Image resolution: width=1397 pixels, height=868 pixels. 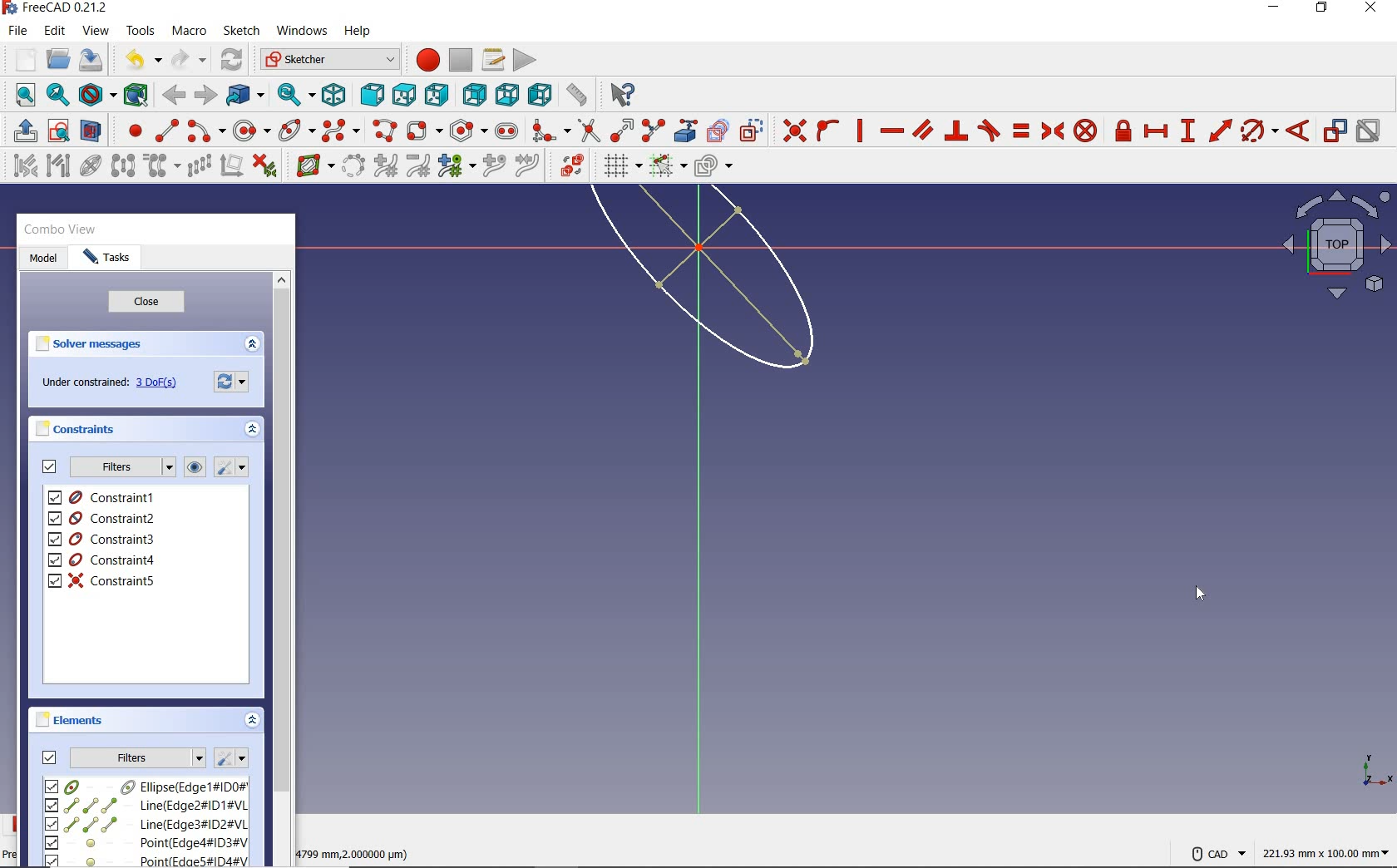 What do you see at coordinates (1022, 131) in the screenshot?
I see `constrain equal` at bounding box center [1022, 131].